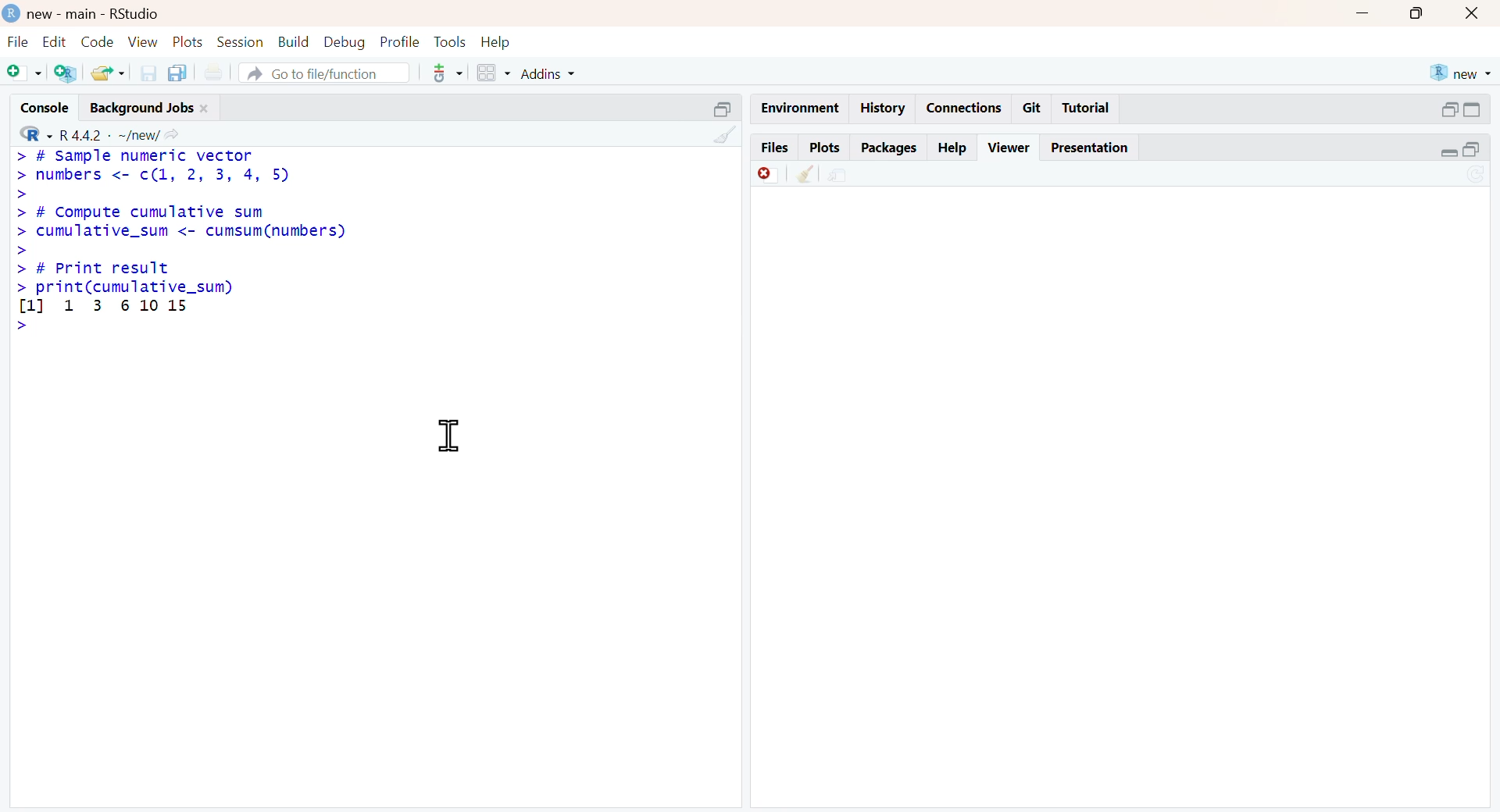 The width and height of the screenshot is (1500, 812). What do you see at coordinates (724, 109) in the screenshot?
I see `open in separate window` at bounding box center [724, 109].